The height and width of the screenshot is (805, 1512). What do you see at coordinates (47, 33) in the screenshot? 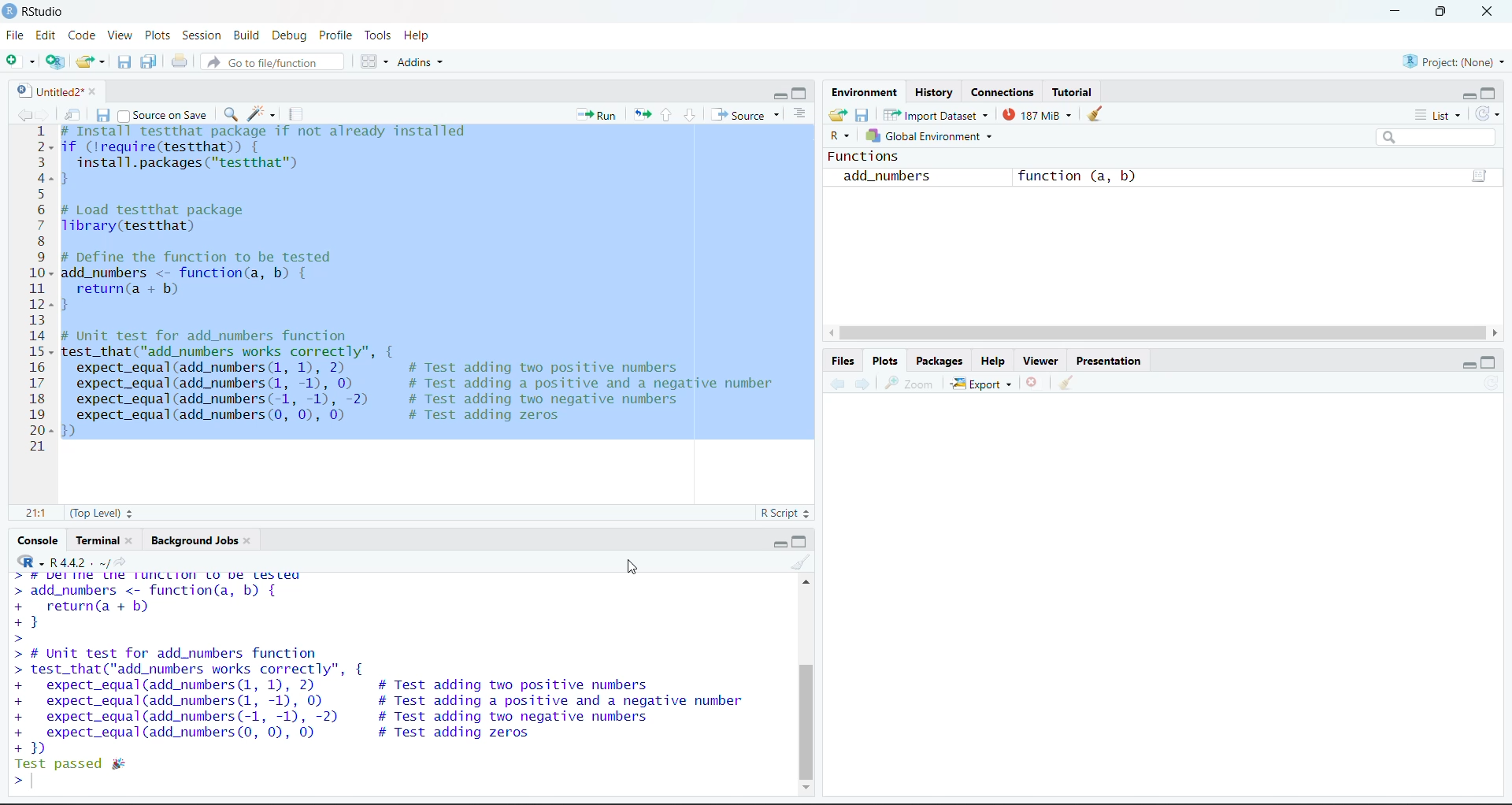
I see `Edit` at bounding box center [47, 33].